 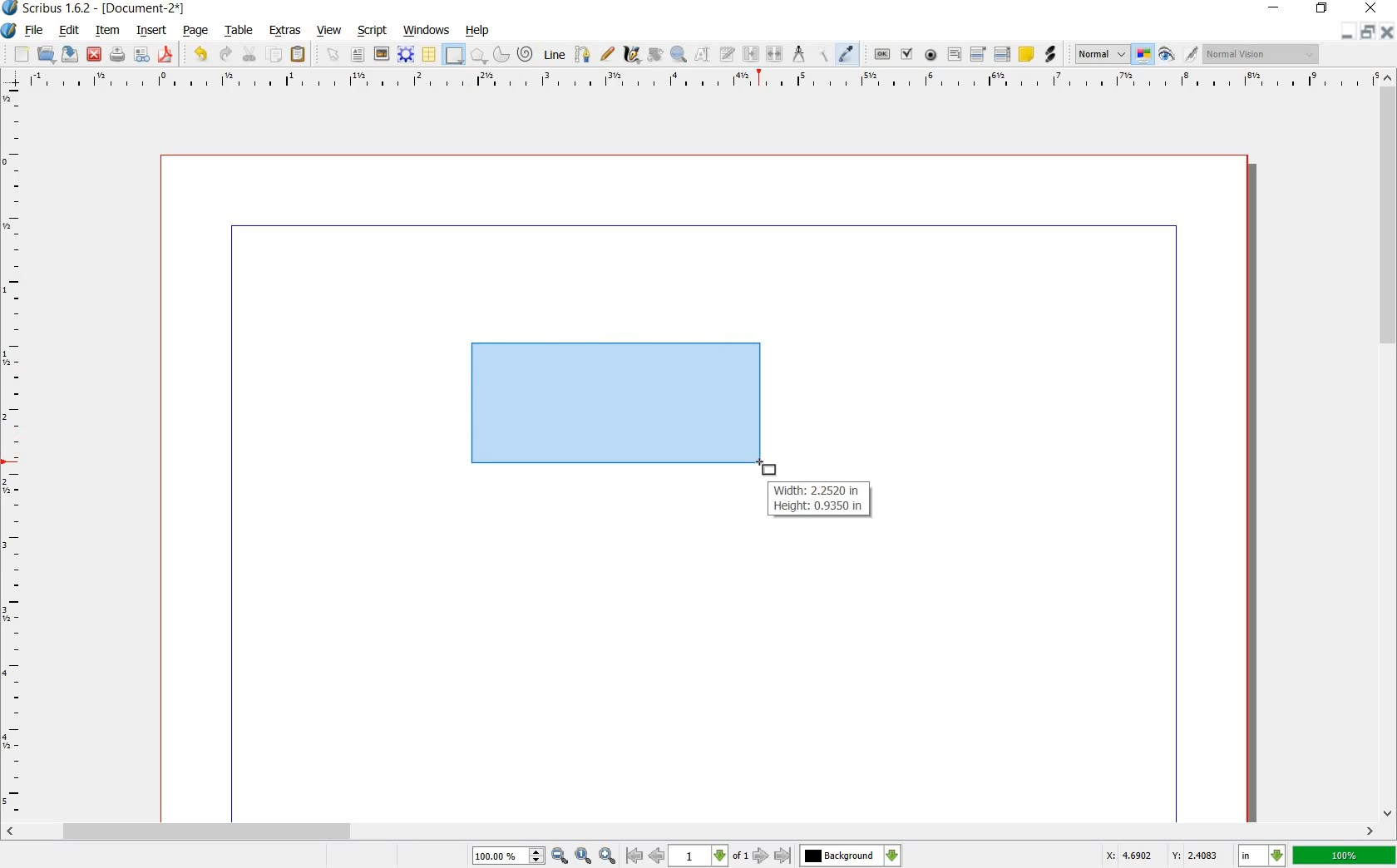 What do you see at coordinates (1344, 856) in the screenshot?
I see `100%` at bounding box center [1344, 856].